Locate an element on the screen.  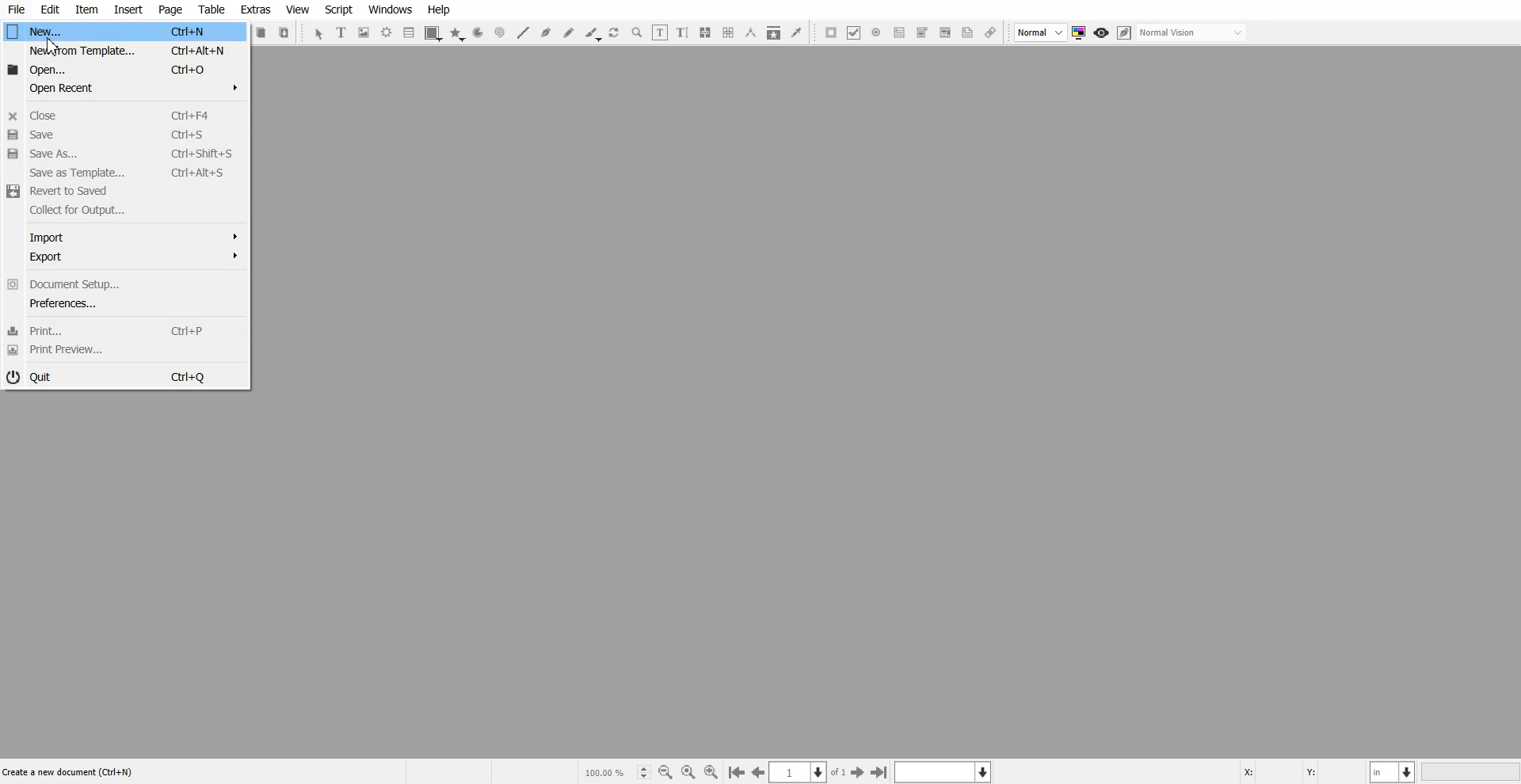
Freehand line is located at coordinates (569, 32).